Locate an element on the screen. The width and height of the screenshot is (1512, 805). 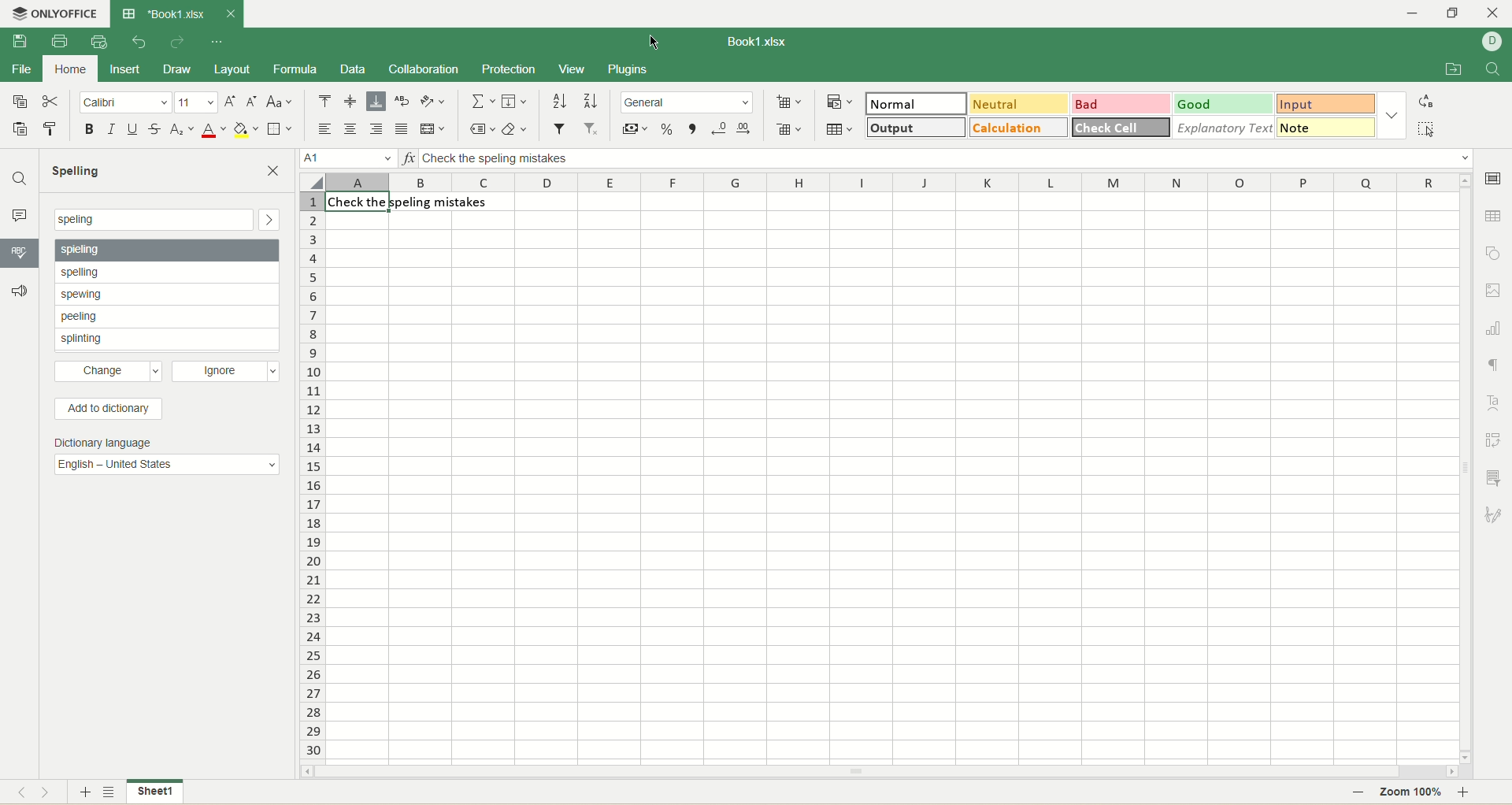
sort descending is located at coordinates (591, 101).